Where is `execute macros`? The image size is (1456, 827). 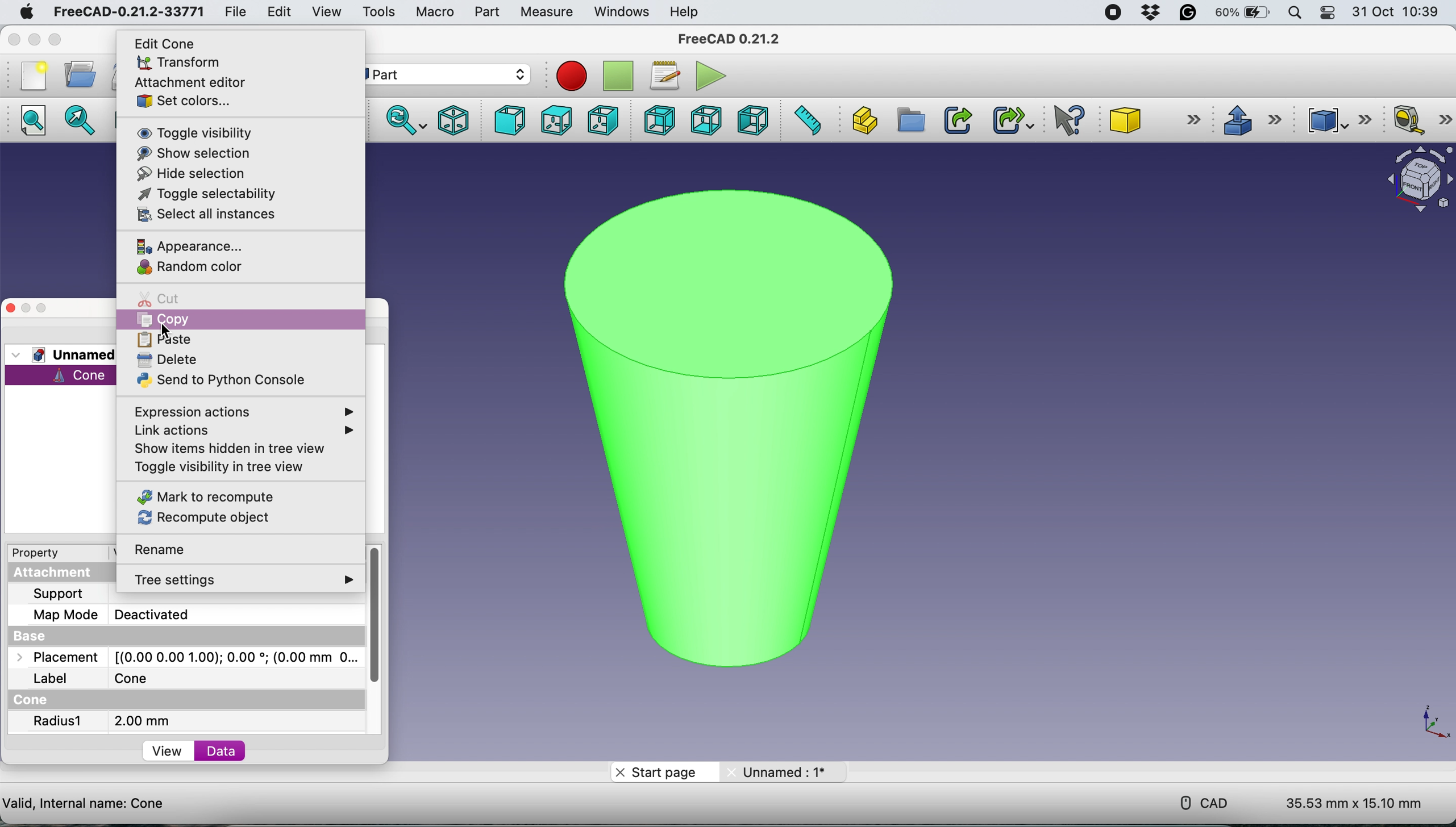
execute macros is located at coordinates (708, 76).